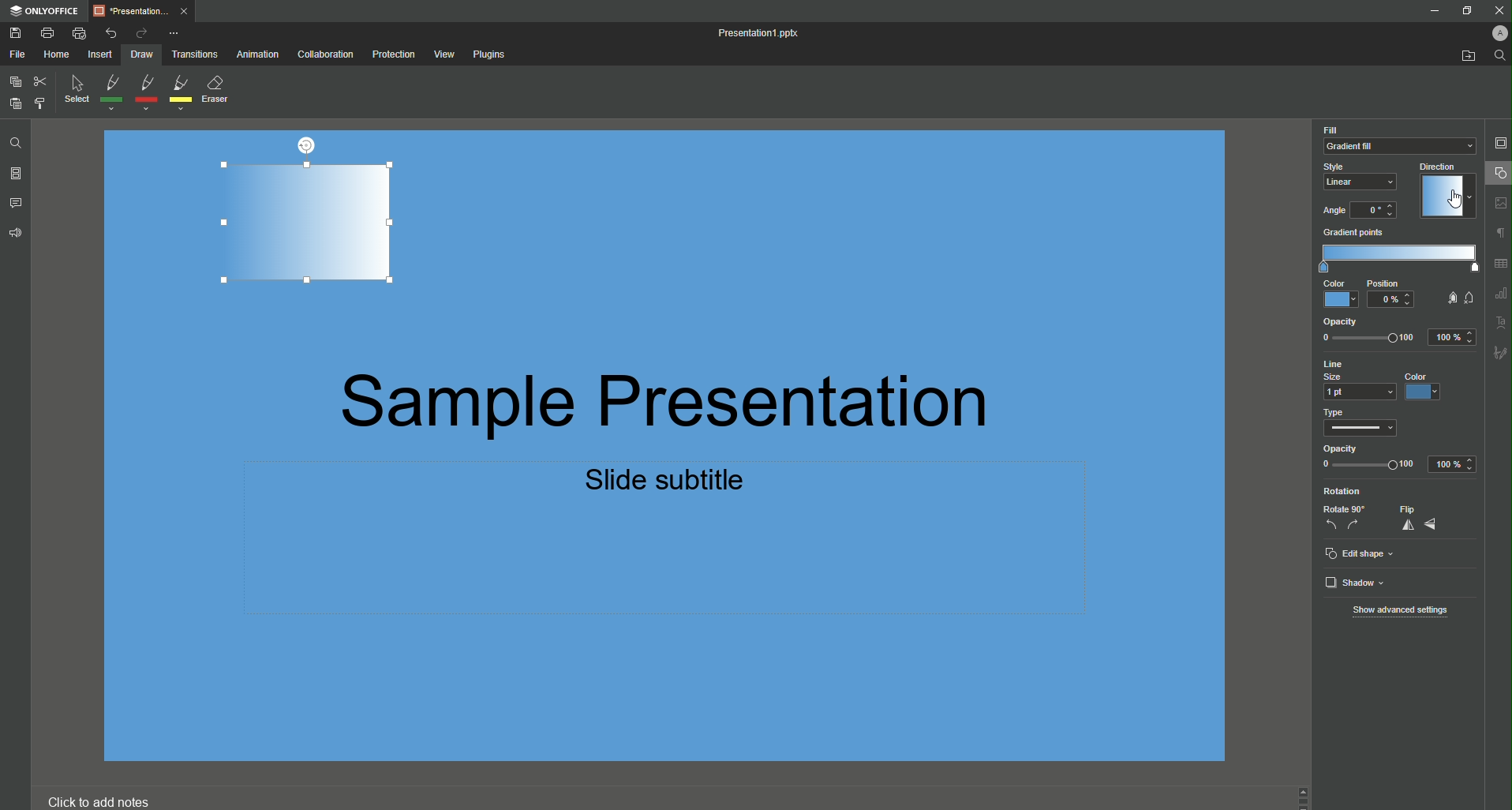 The width and height of the screenshot is (1512, 810). Describe the element at coordinates (39, 81) in the screenshot. I see `Cut` at that location.